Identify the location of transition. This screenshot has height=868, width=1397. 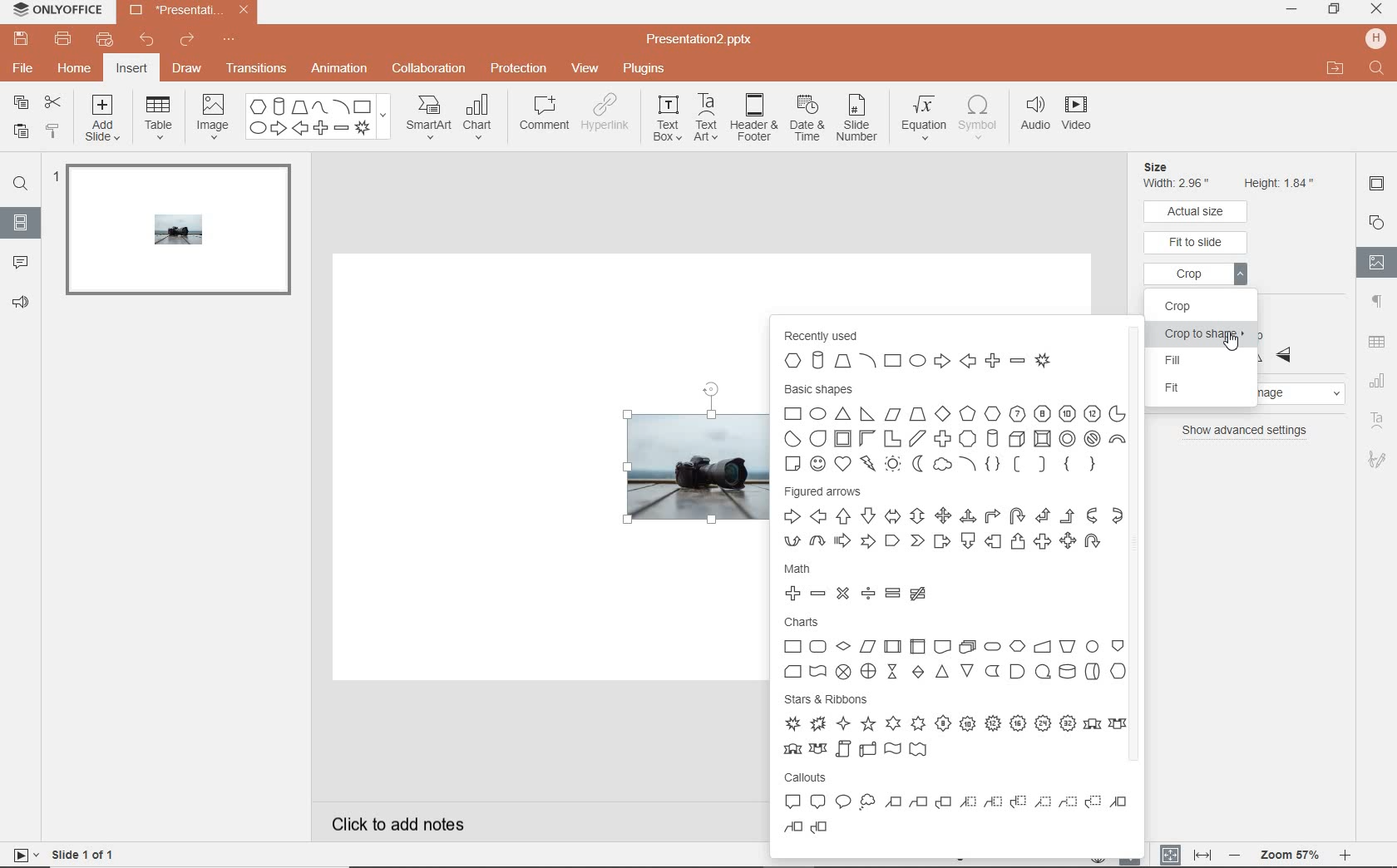
(256, 68).